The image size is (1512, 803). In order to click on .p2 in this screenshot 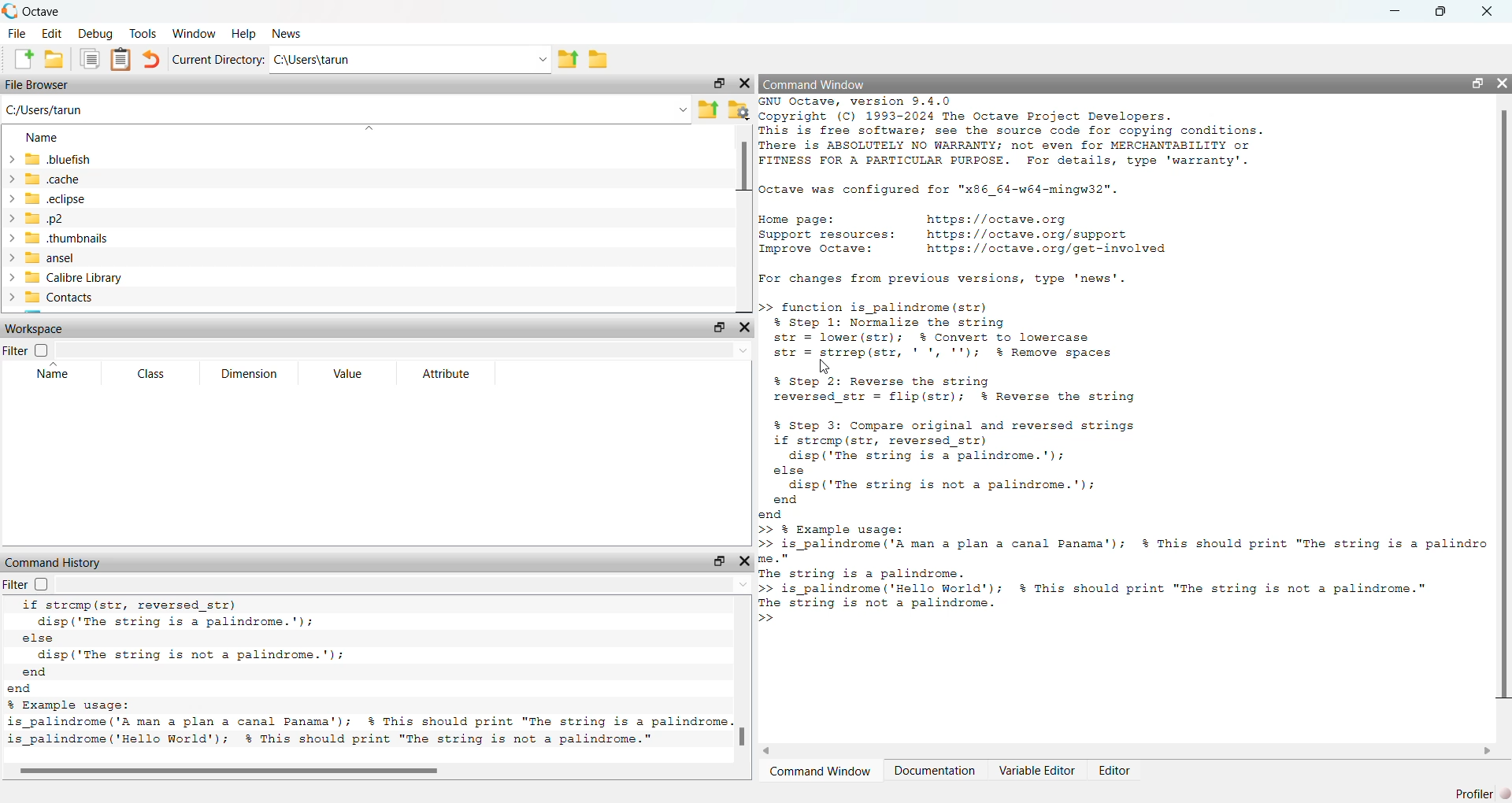, I will do `click(103, 218)`.